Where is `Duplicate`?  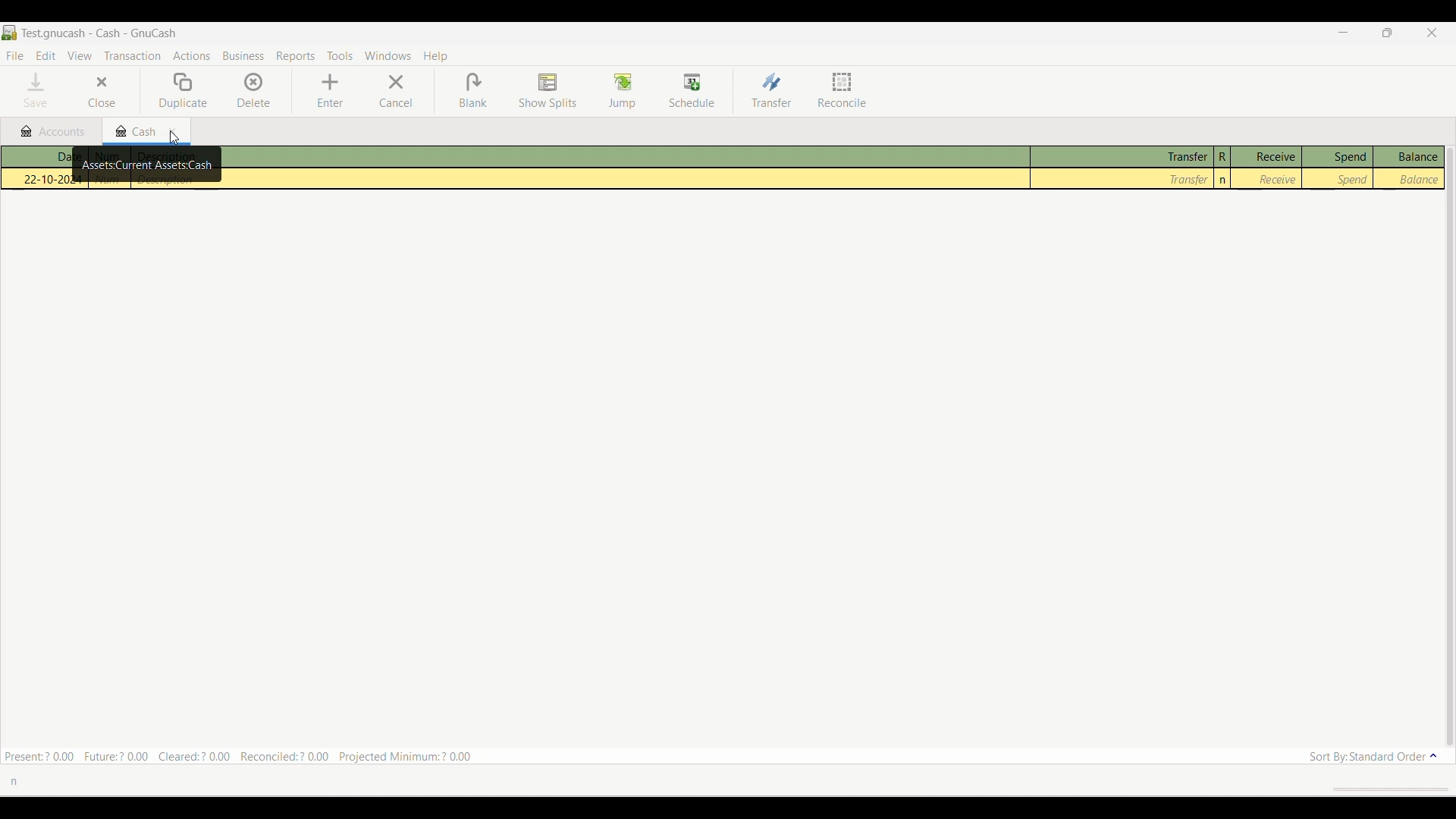 Duplicate is located at coordinates (183, 91).